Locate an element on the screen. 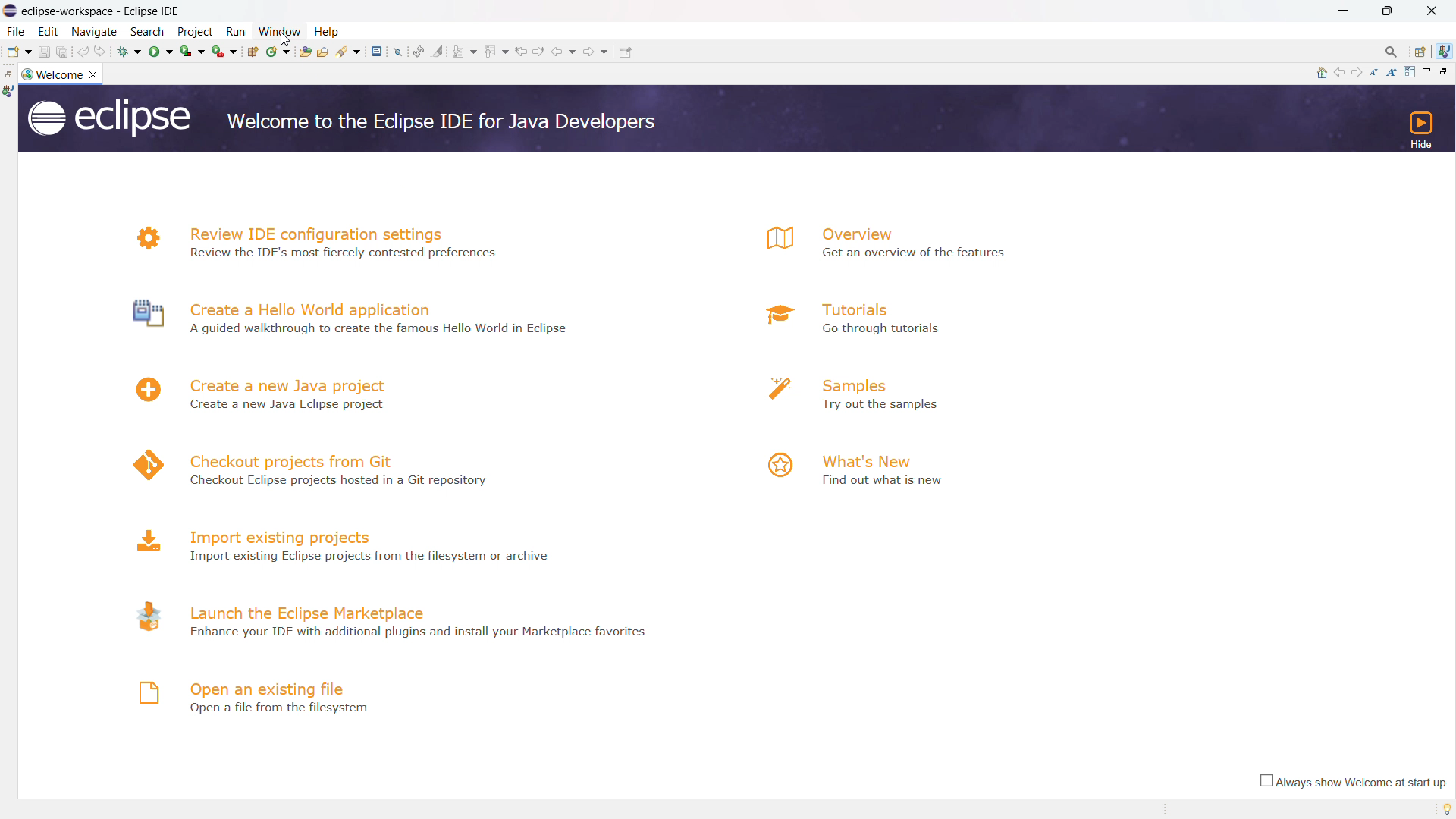 This screenshot has height=819, width=1456. close is located at coordinates (1433, 11).